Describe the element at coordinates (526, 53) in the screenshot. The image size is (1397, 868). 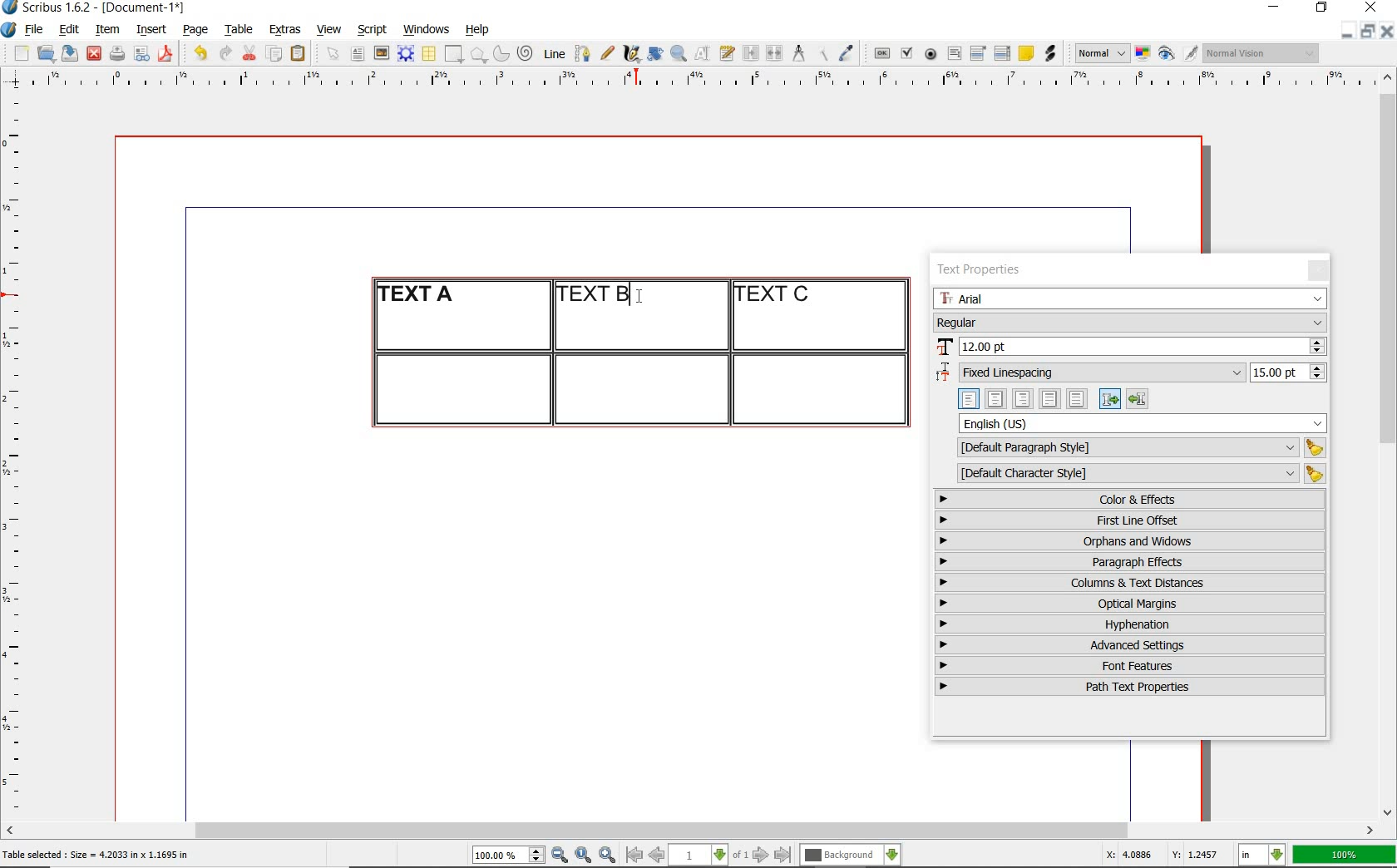
I see `spiral` at that location.